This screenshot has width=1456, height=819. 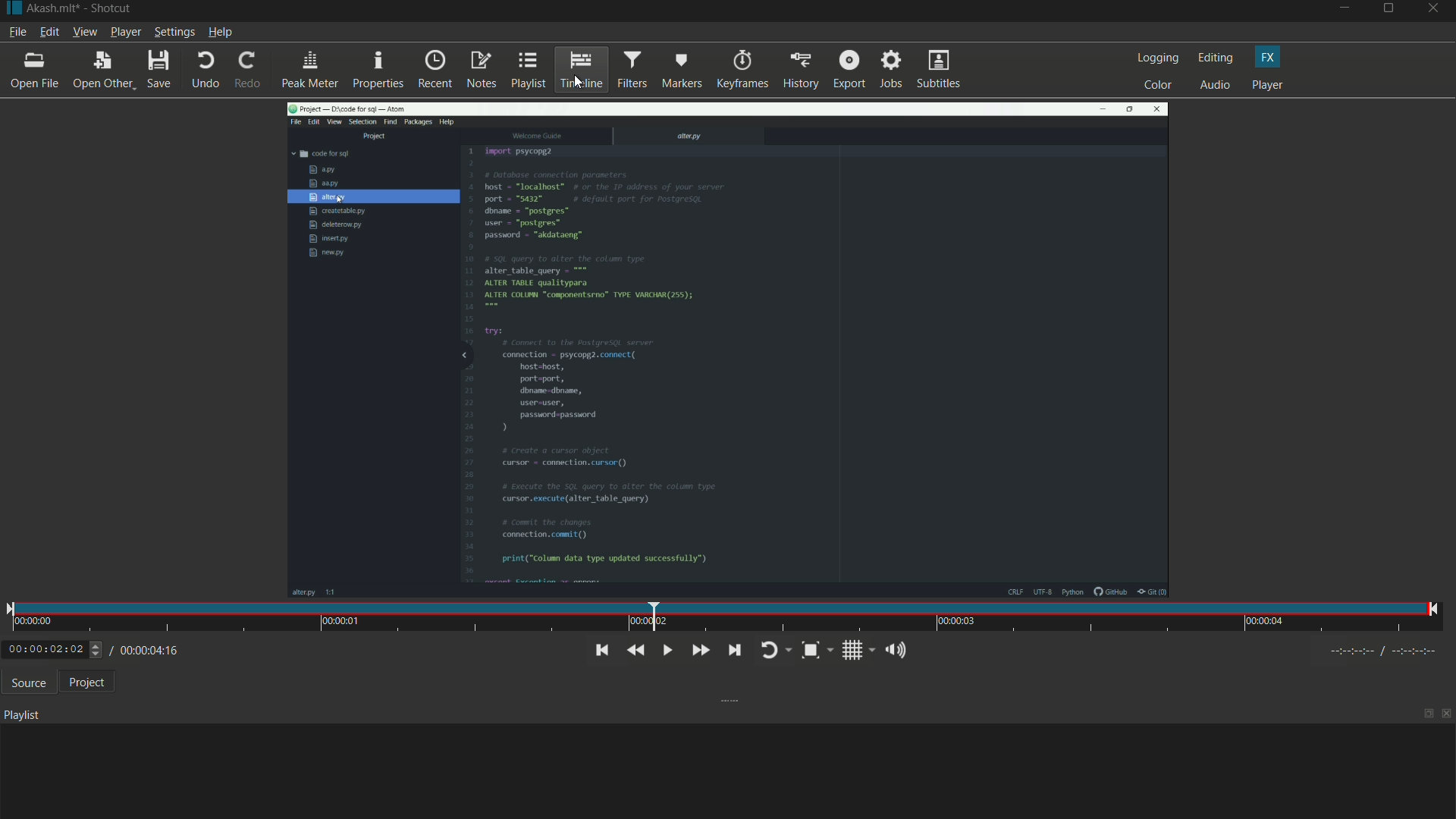 I want to click on quickly play forward, so click(x=698, y=651).